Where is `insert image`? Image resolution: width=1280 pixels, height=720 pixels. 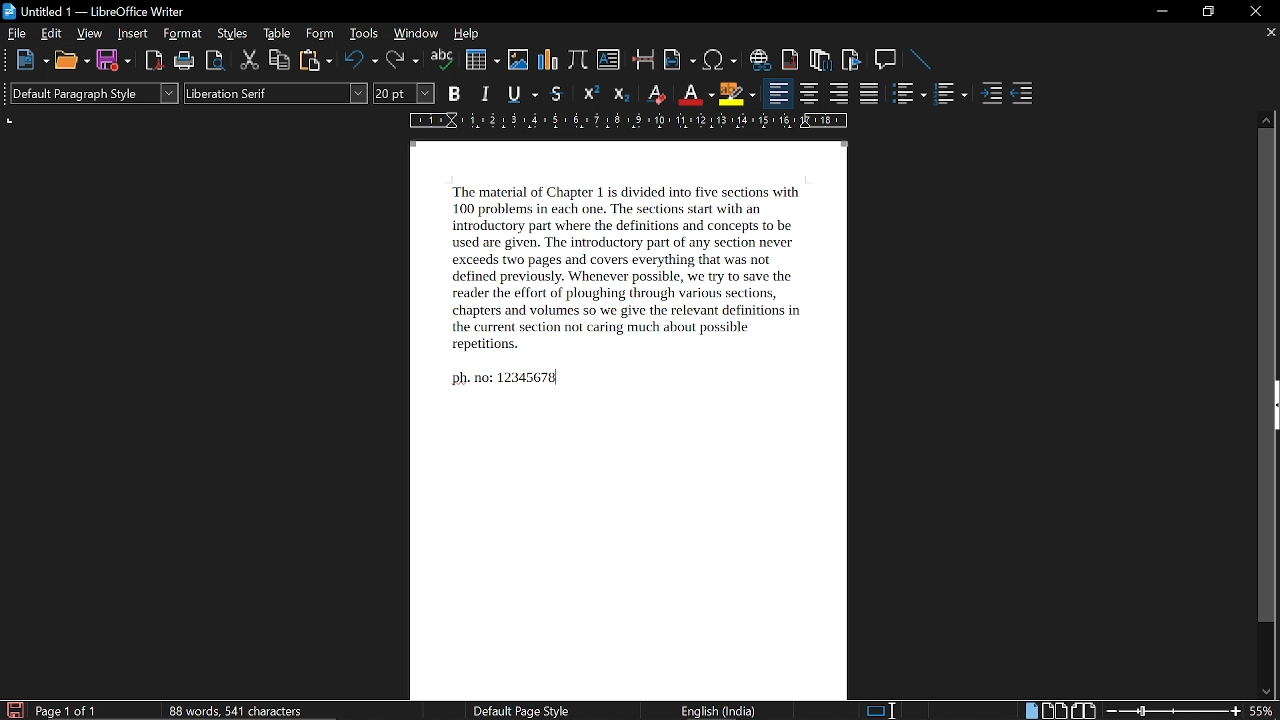
insert image is located at coordinates (517, 60).